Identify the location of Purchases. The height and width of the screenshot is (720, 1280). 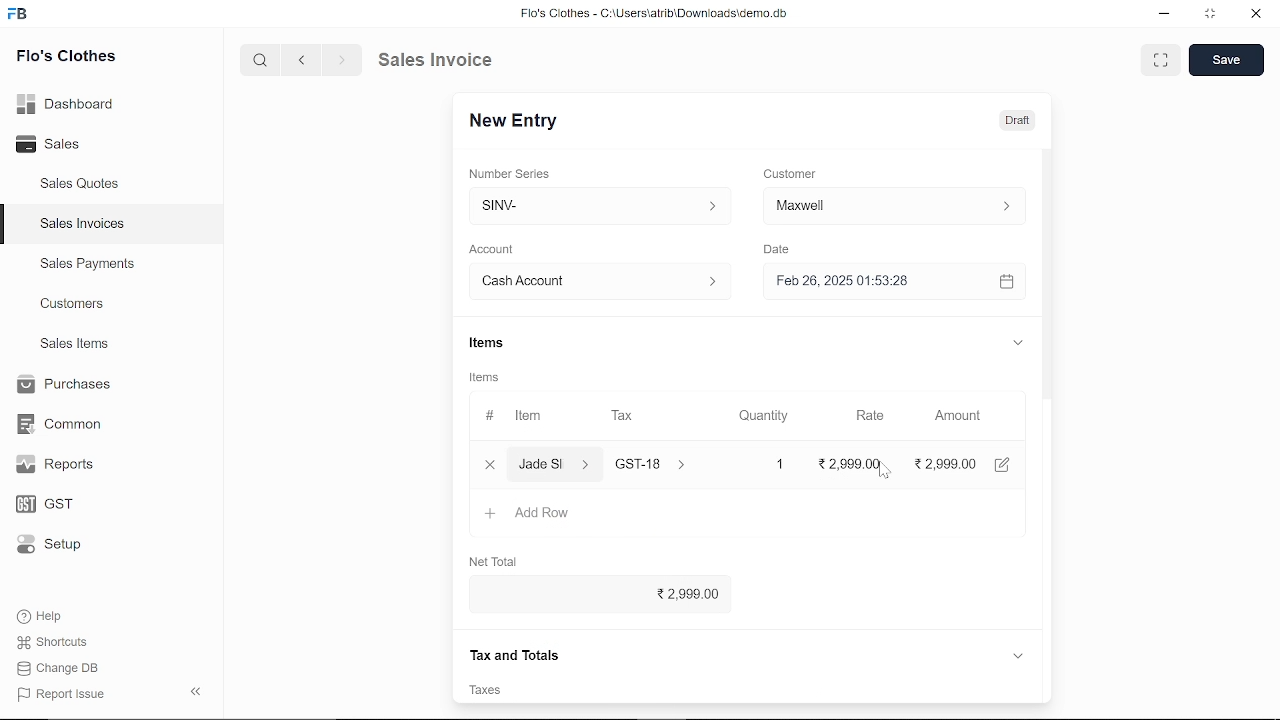
(62, 385).